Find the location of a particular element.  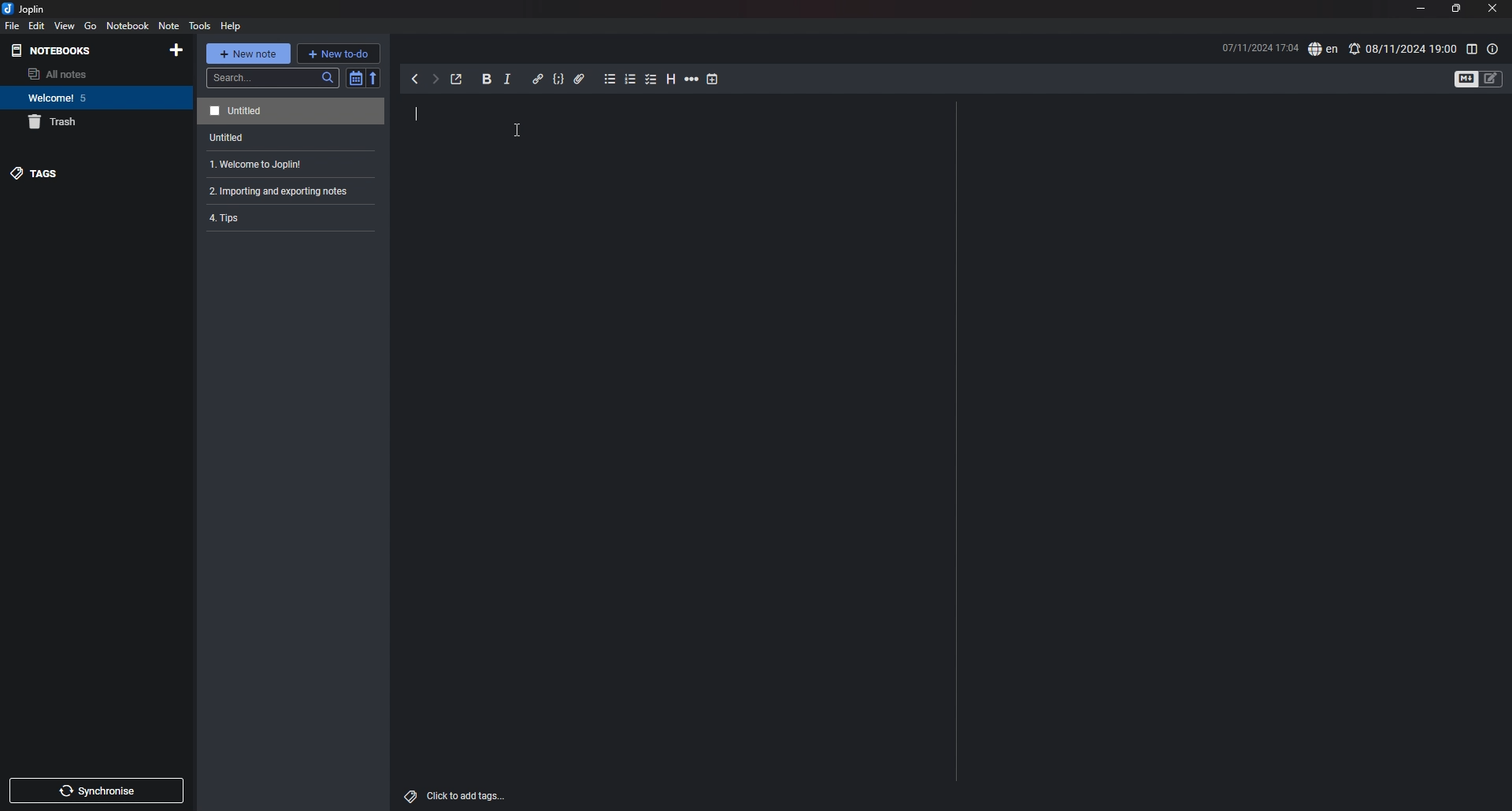

toggle sort order is located at coordinates (354, 78).